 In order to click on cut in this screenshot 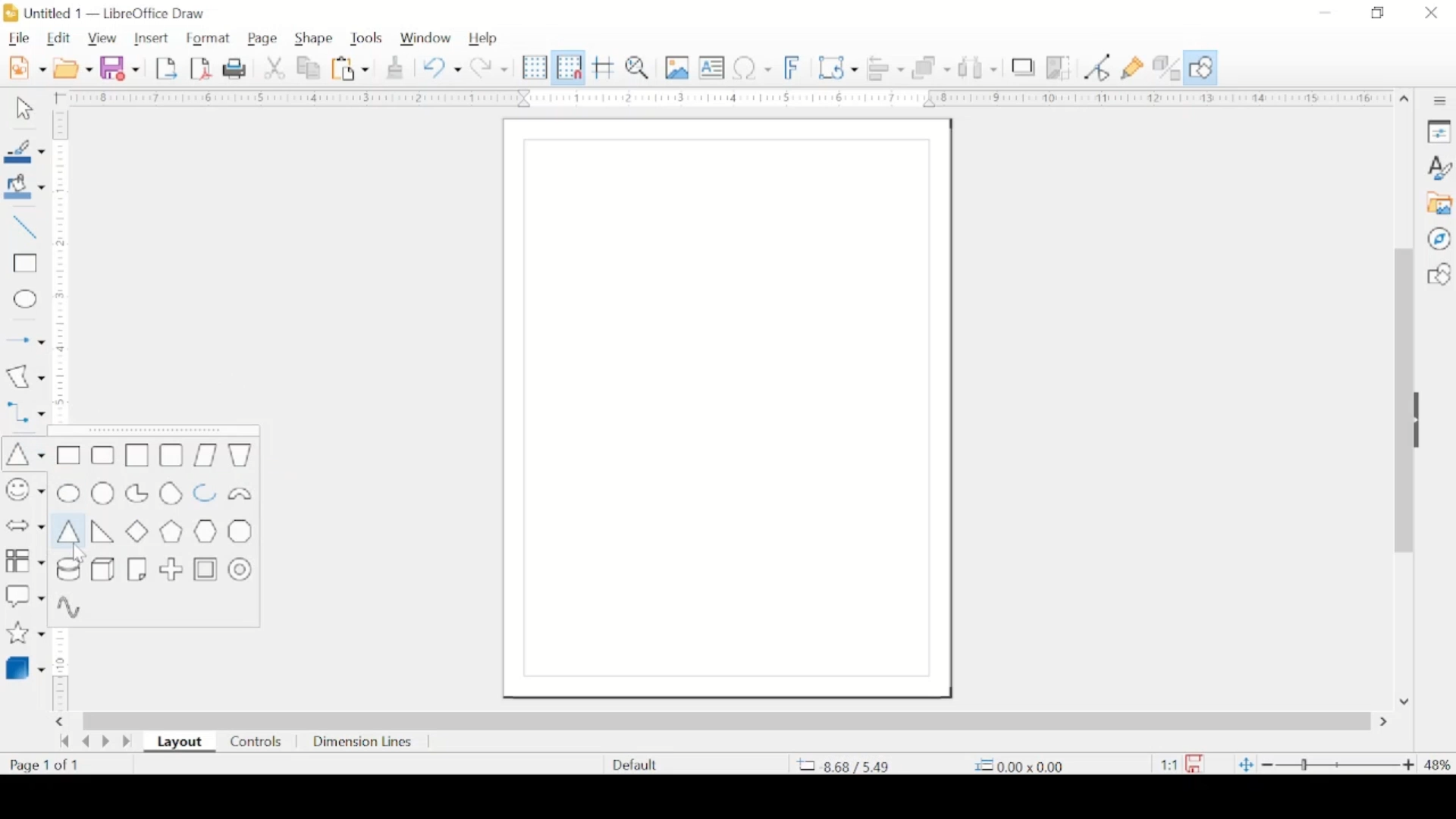, I will do `click(275, 68)`.